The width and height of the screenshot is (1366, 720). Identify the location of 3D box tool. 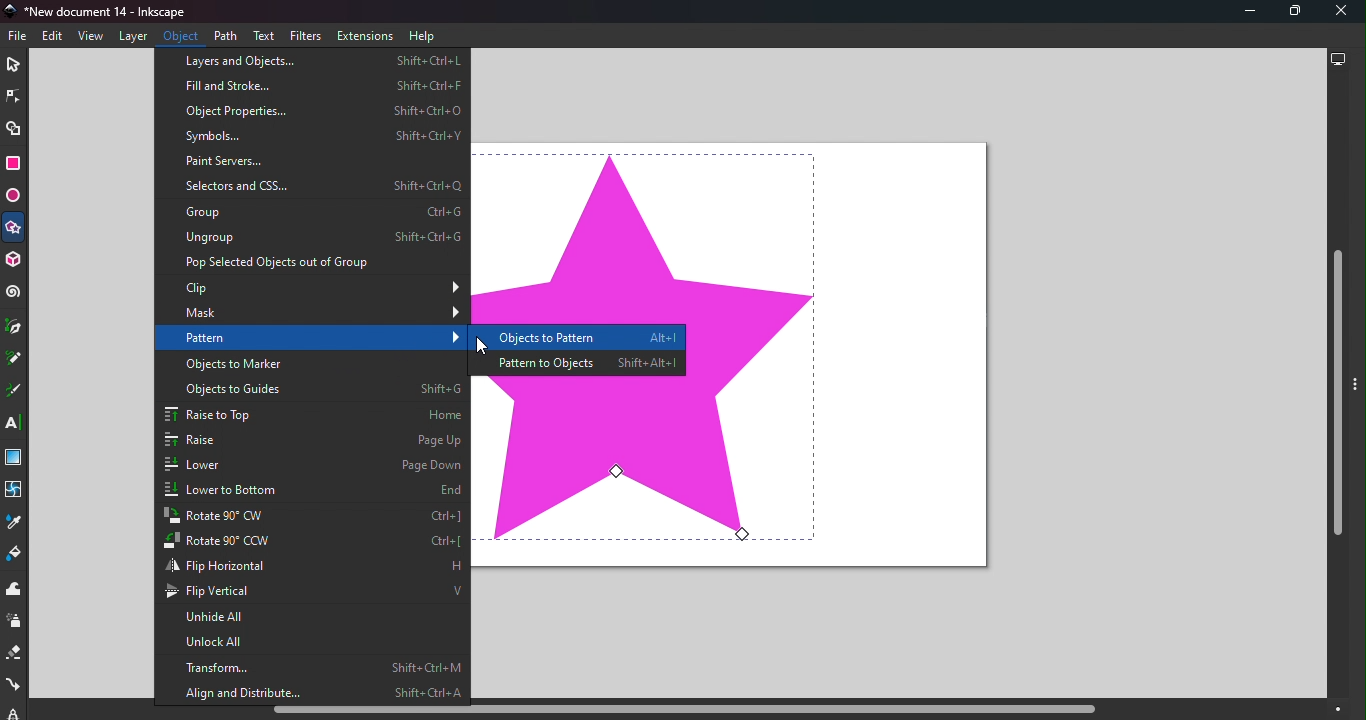
(16, 260).